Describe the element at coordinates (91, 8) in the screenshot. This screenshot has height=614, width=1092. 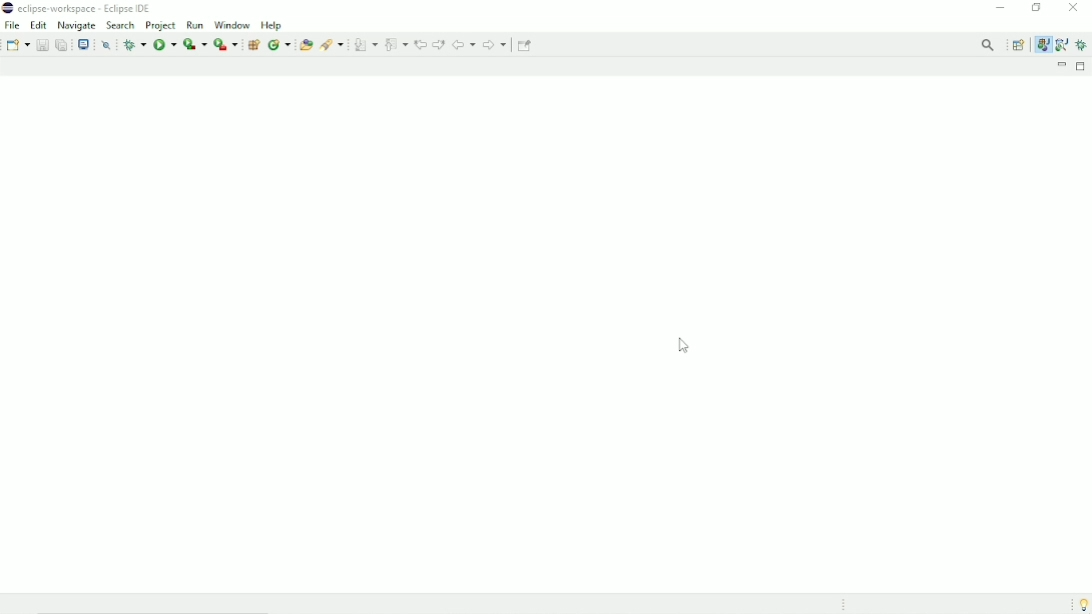
I see `eclipse workspace - Eclipse IDE` at that location.